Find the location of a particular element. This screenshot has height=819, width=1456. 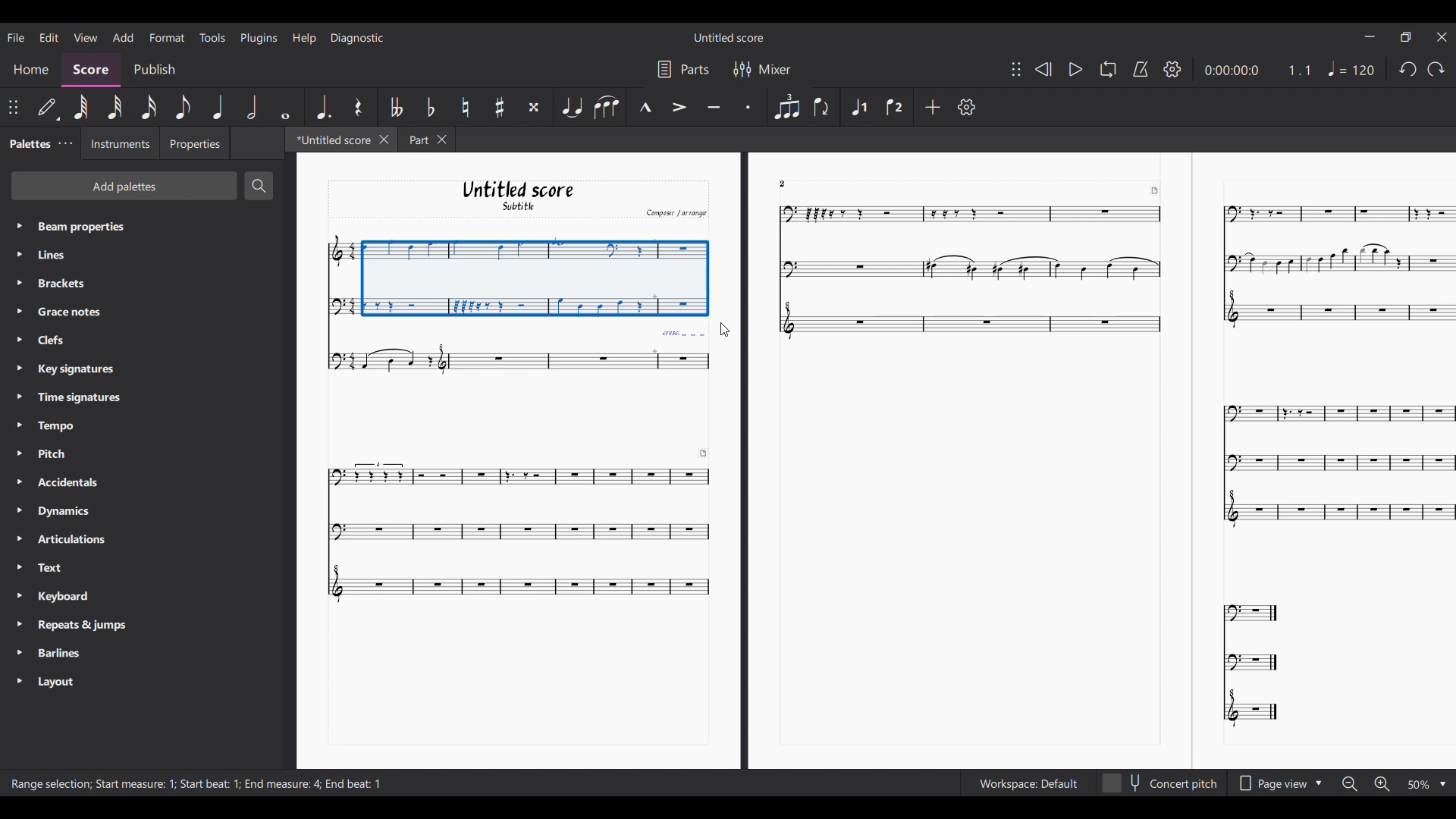

Barlines is located at coordinates (62, 654).